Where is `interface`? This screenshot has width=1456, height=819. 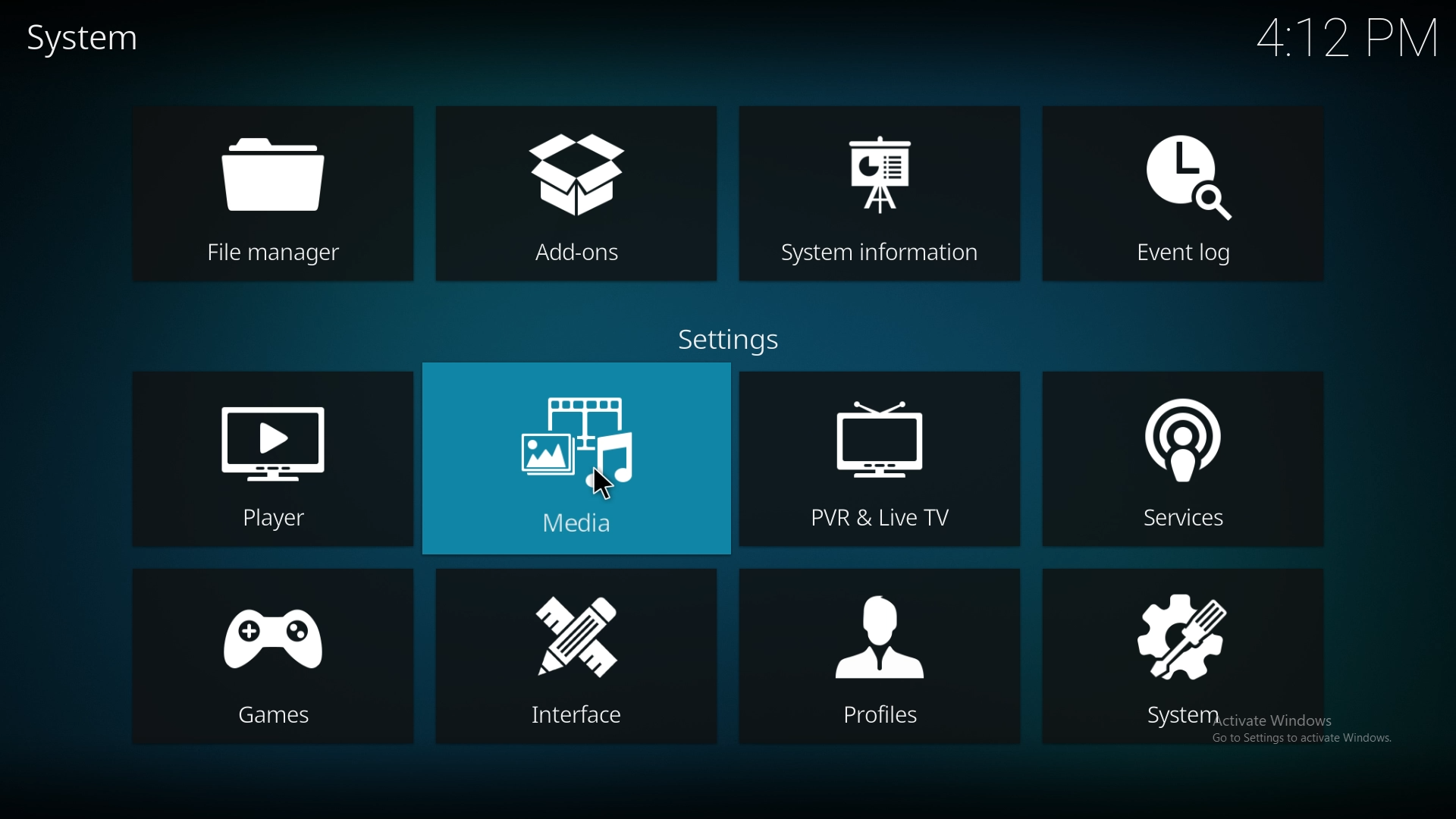 interface is located at coordinates (573, 657).